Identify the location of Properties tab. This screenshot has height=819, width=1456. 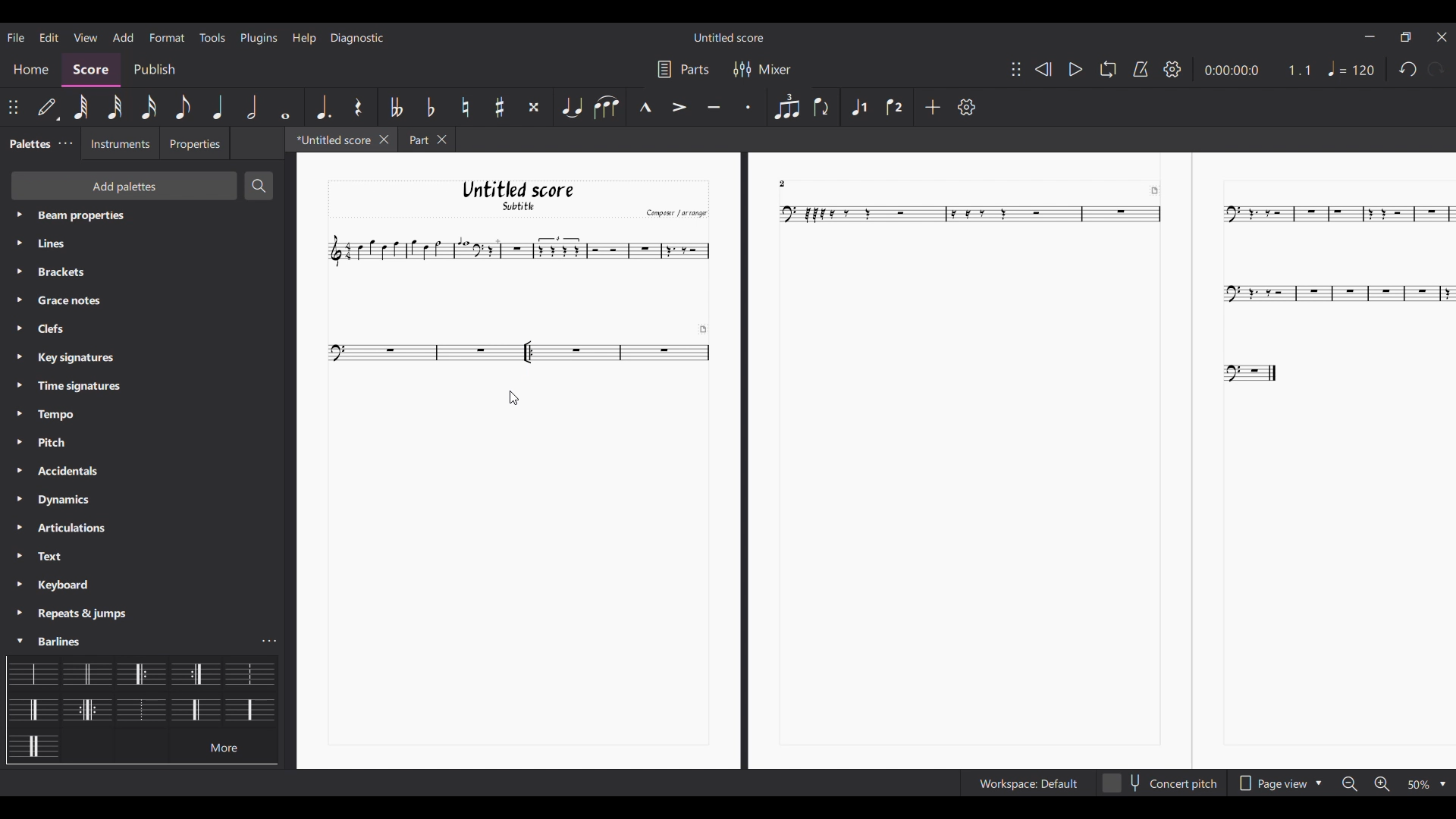
(195, 143).